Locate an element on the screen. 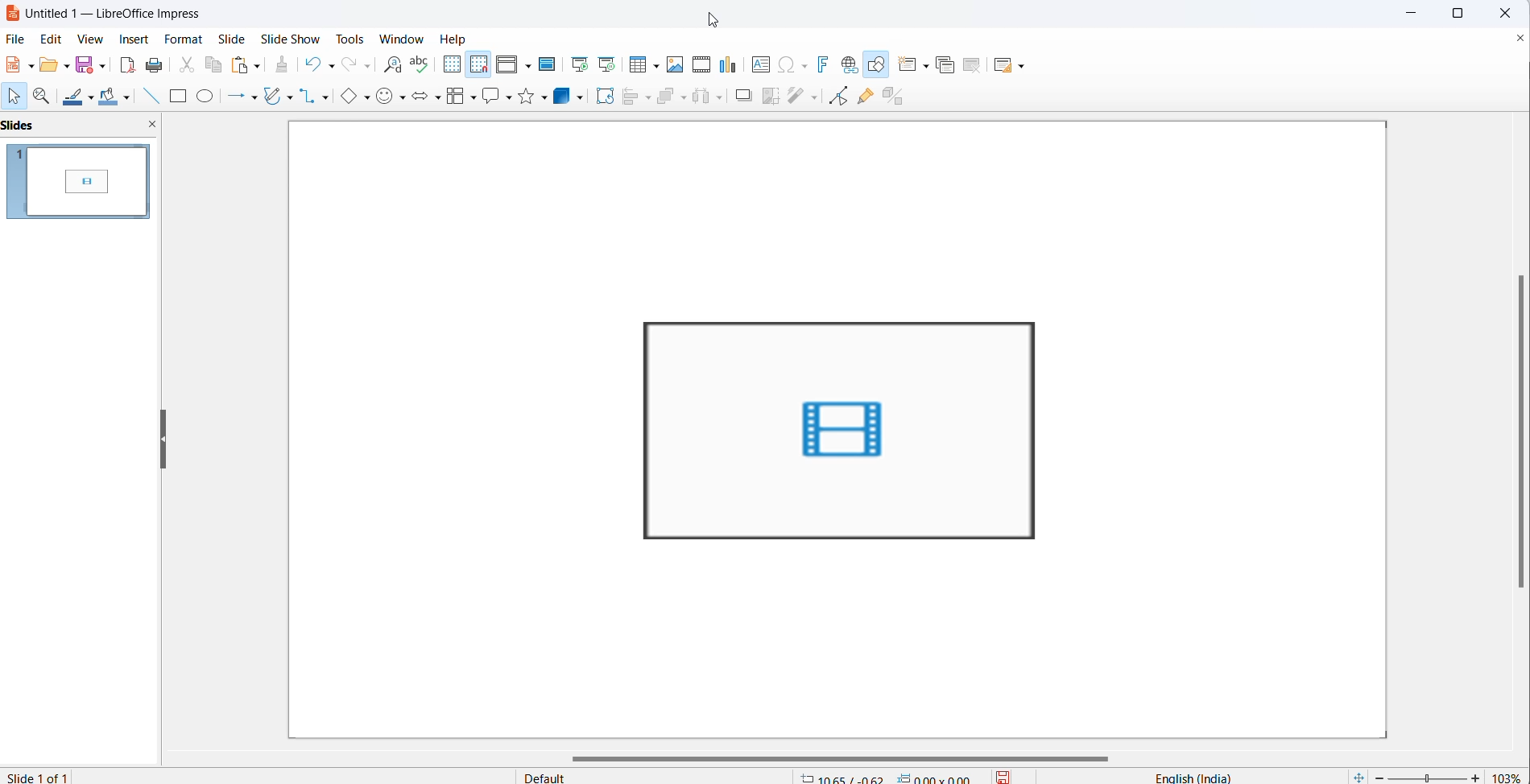  insert chart is located at coordinates (730, 64).